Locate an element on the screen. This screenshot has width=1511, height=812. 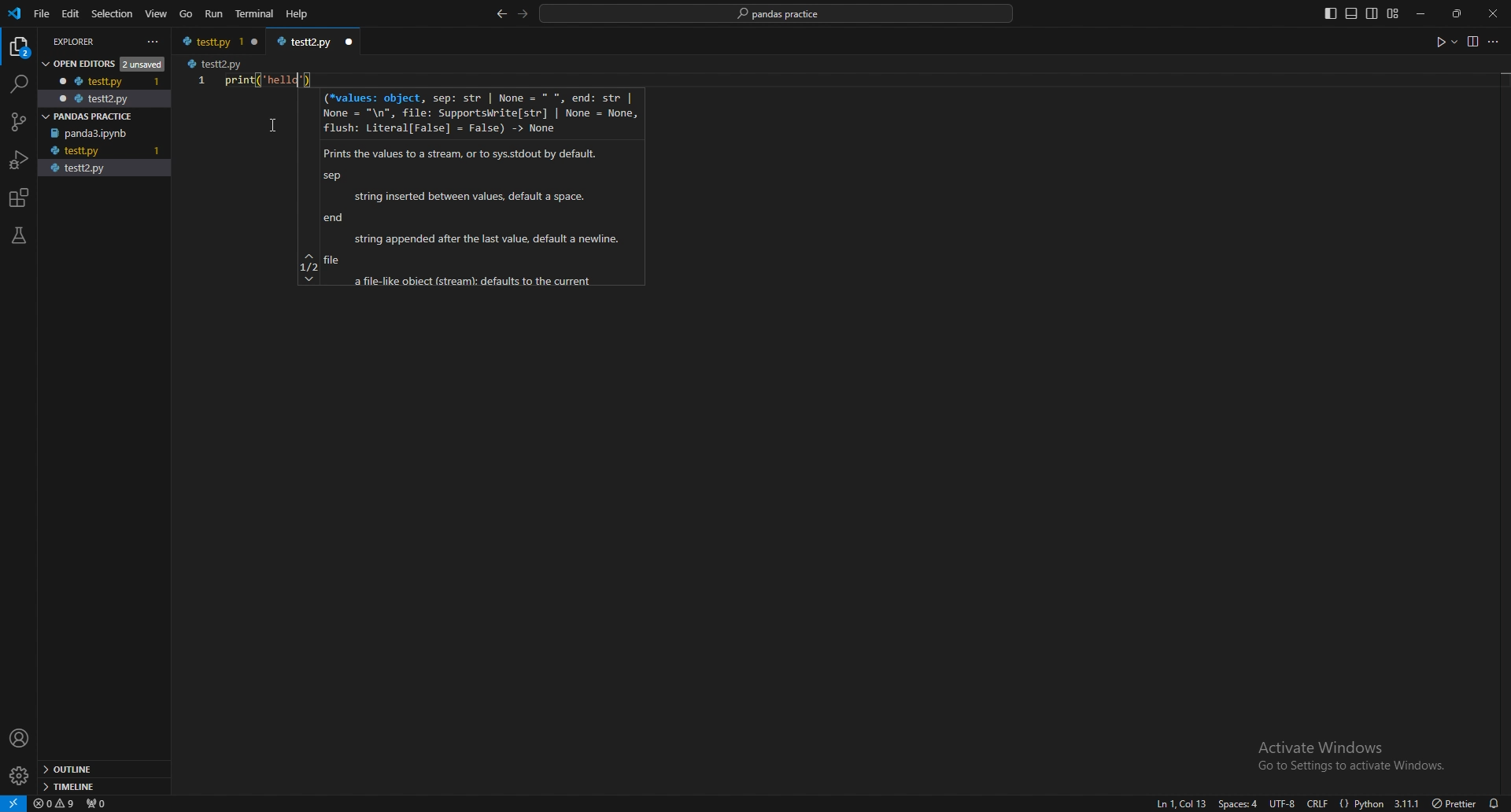
explorer is located at coordinates (20, 47).